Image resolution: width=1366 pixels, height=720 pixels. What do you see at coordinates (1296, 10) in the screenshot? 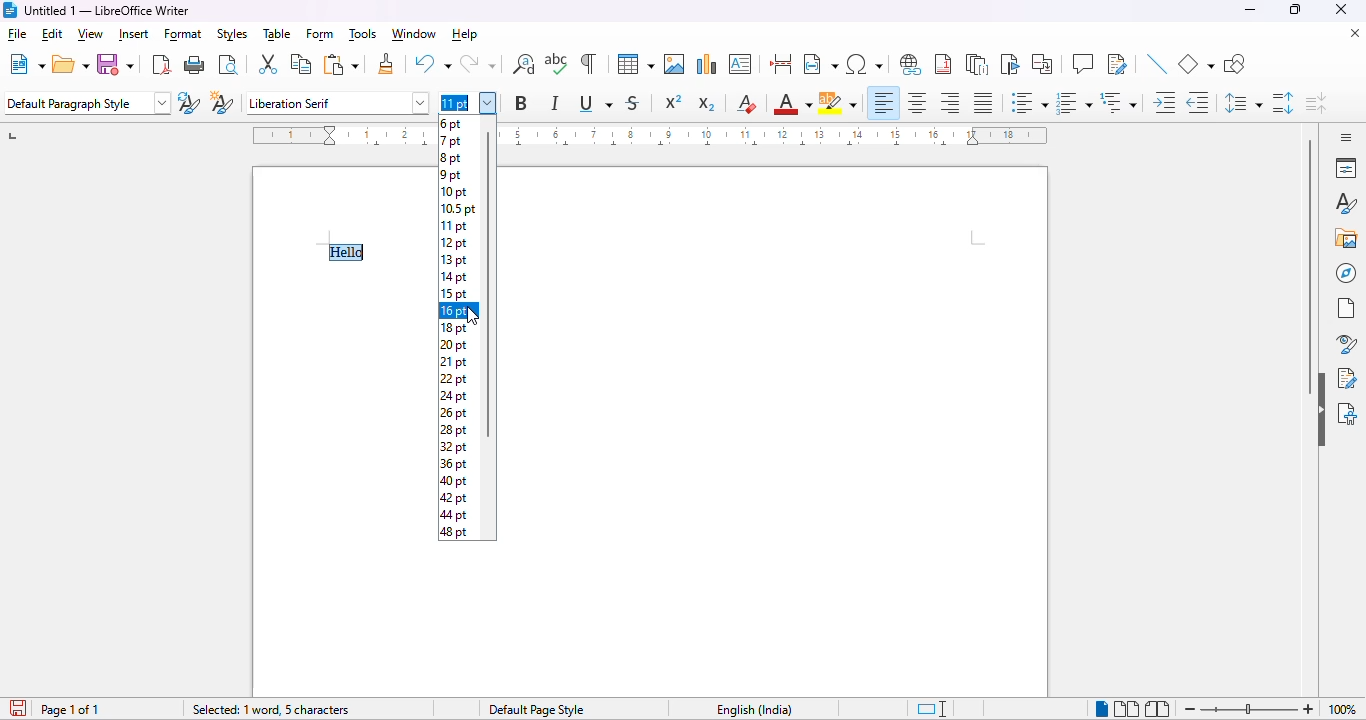
I see `maximize` at bounding box center [1296, 10].